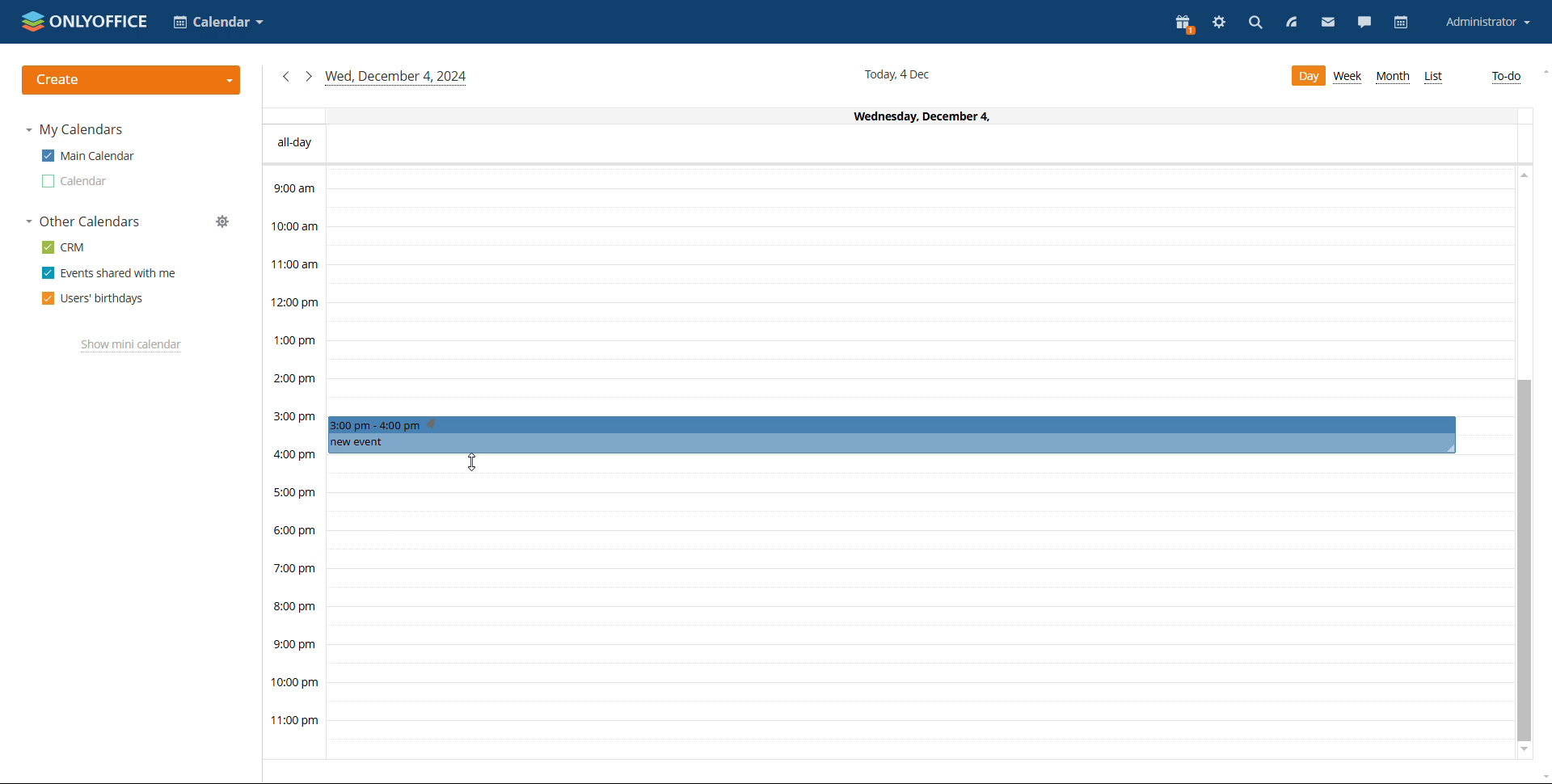 Image resolution: width=1552 pixels, height=784 pixels. Describe the element at coordinates (285, 77) in the screenshot. I see `yesterday` at that location.